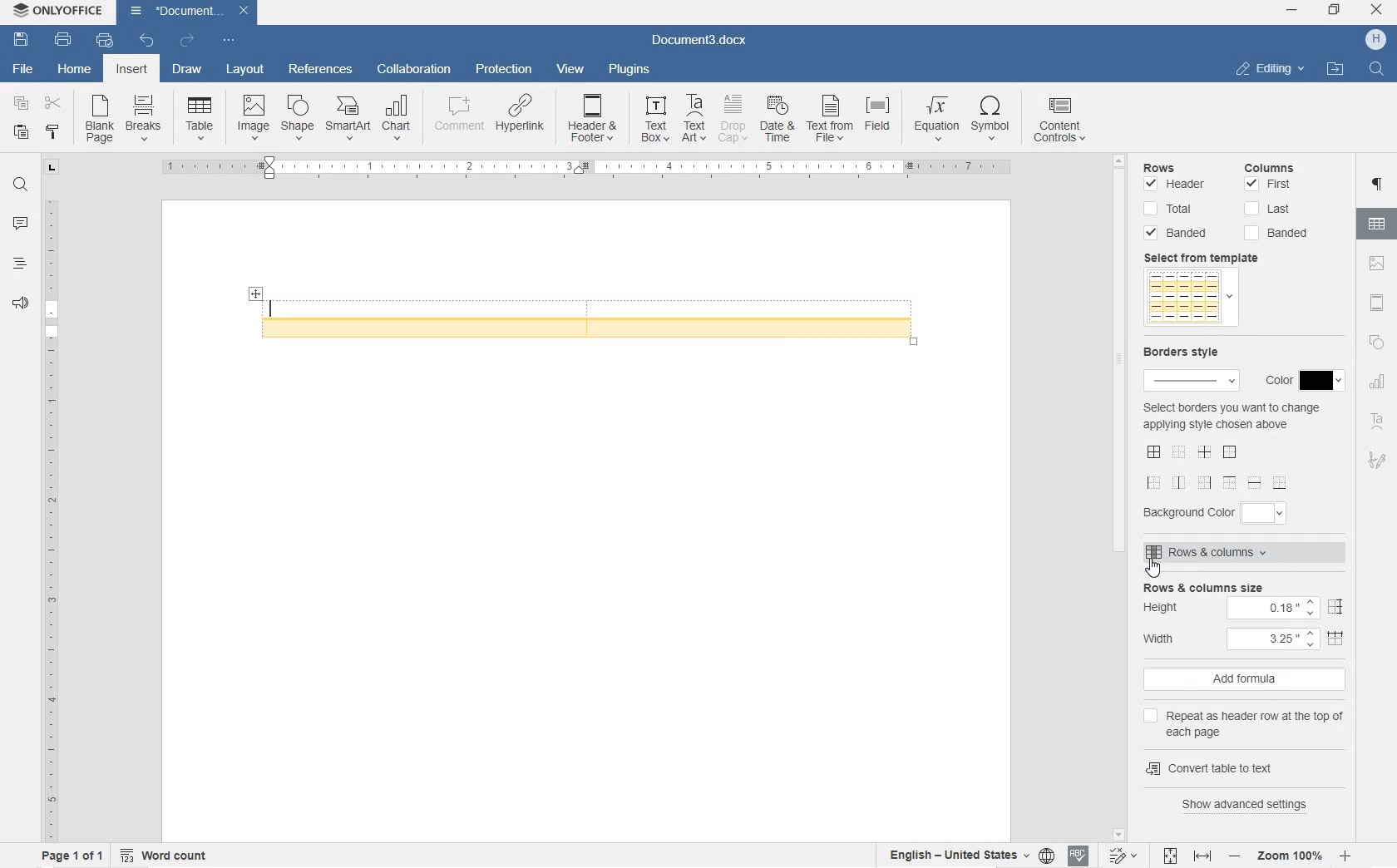 The height and width of the screenshot is (868, 1397). What do you see at coordinates (1379, 264) in the screenshot?
I see `IMAGE` at bounding box center [1379, 264].